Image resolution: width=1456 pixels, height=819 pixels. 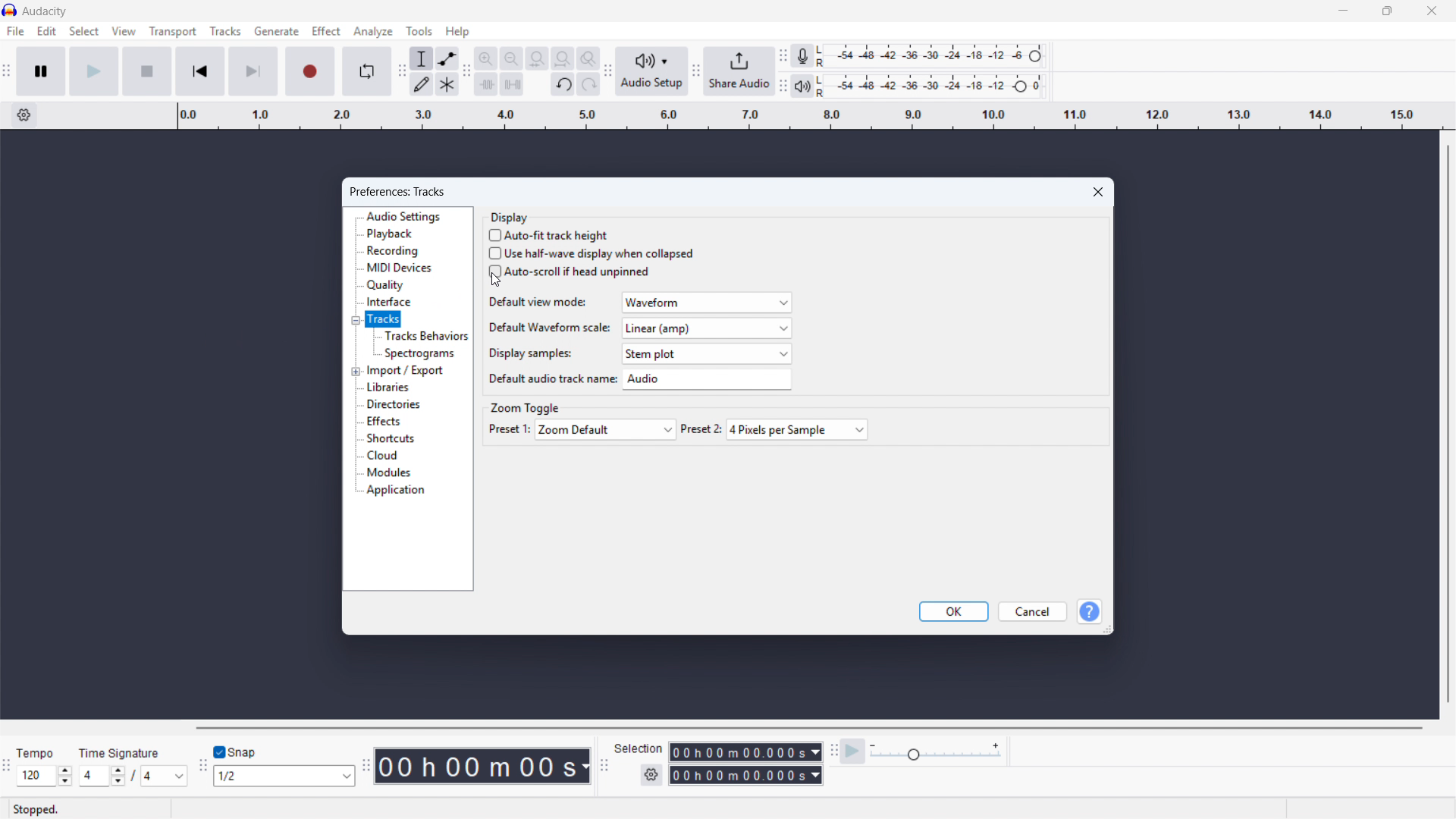 I want to click on set preset 2, so click(x=775, y=430).